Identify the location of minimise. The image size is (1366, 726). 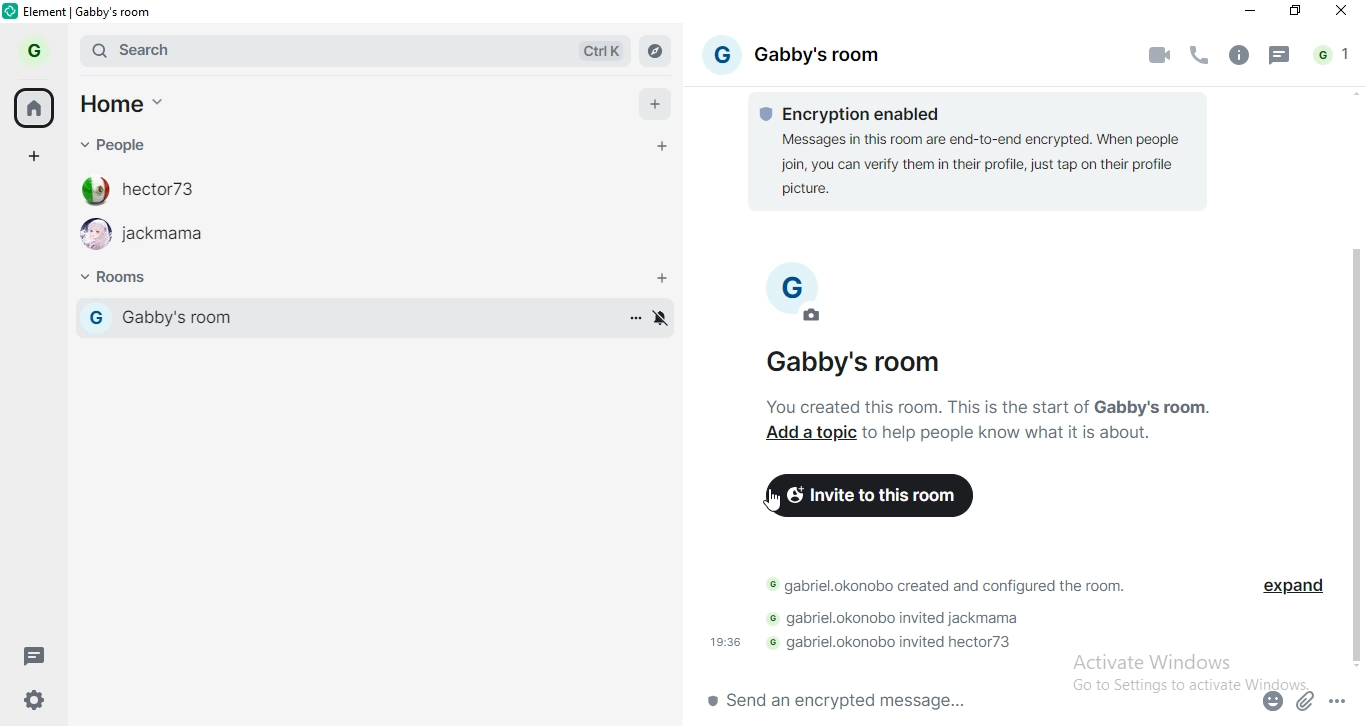
(1244, 11).